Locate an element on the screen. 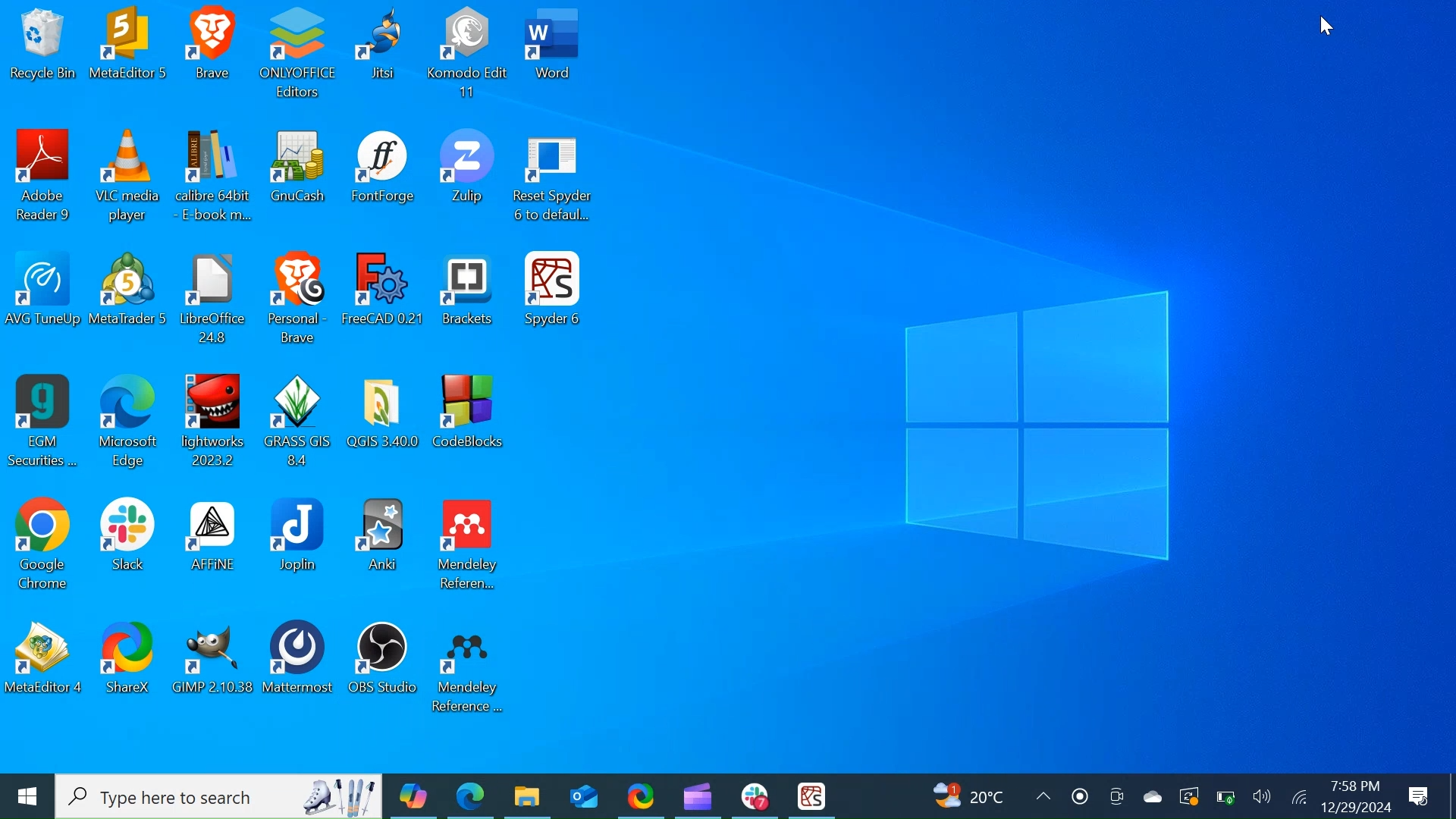 The image size is (1456, 819). Mendeley Desktop icon is located at coordinates (469, 667).